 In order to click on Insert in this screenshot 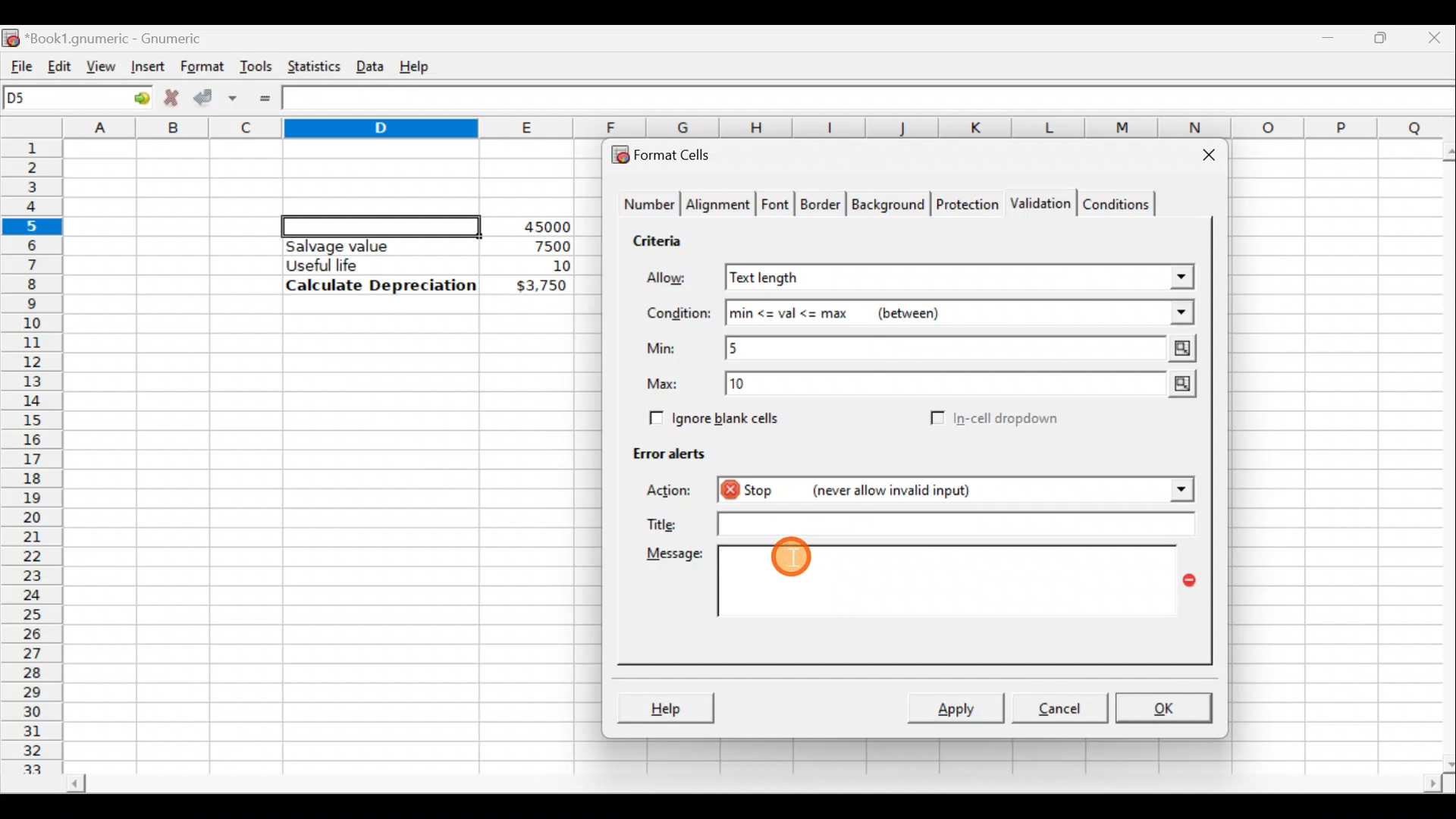, I will do `click(146, 66)`.